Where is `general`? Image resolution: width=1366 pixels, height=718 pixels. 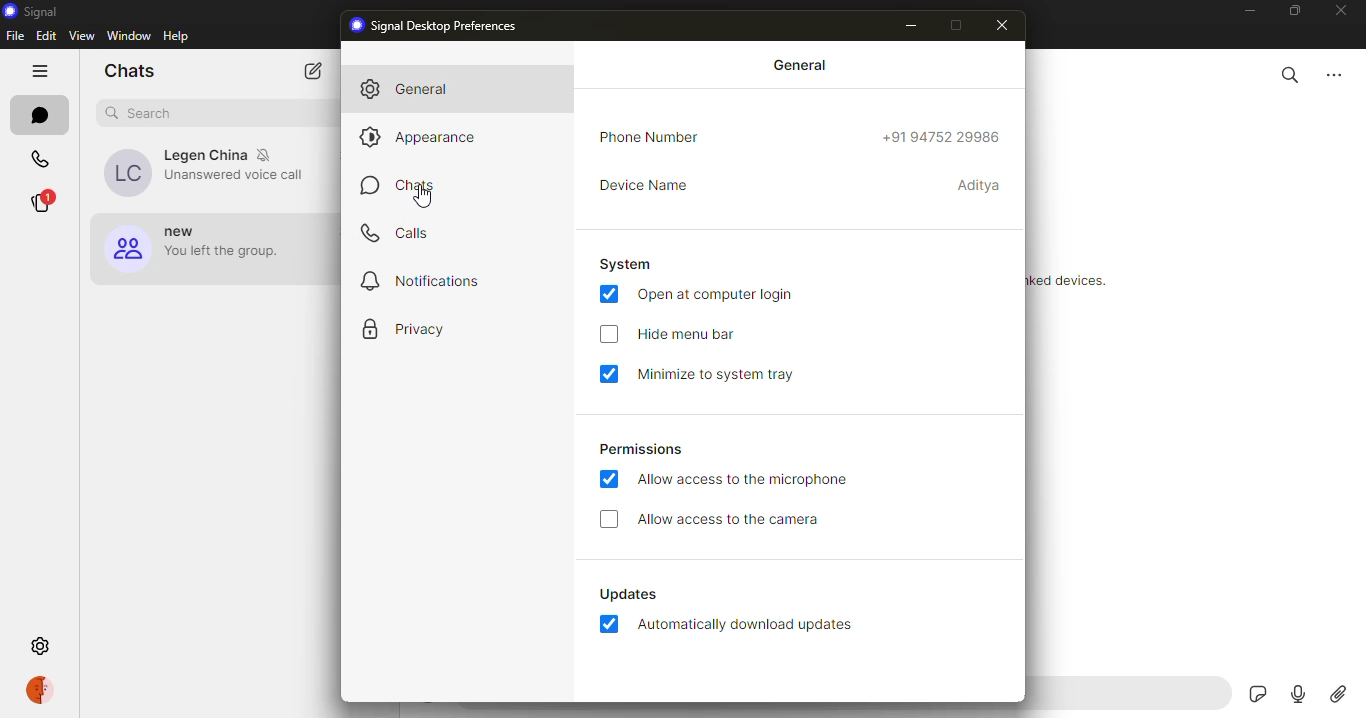
general is located at coordinates (428, 88).